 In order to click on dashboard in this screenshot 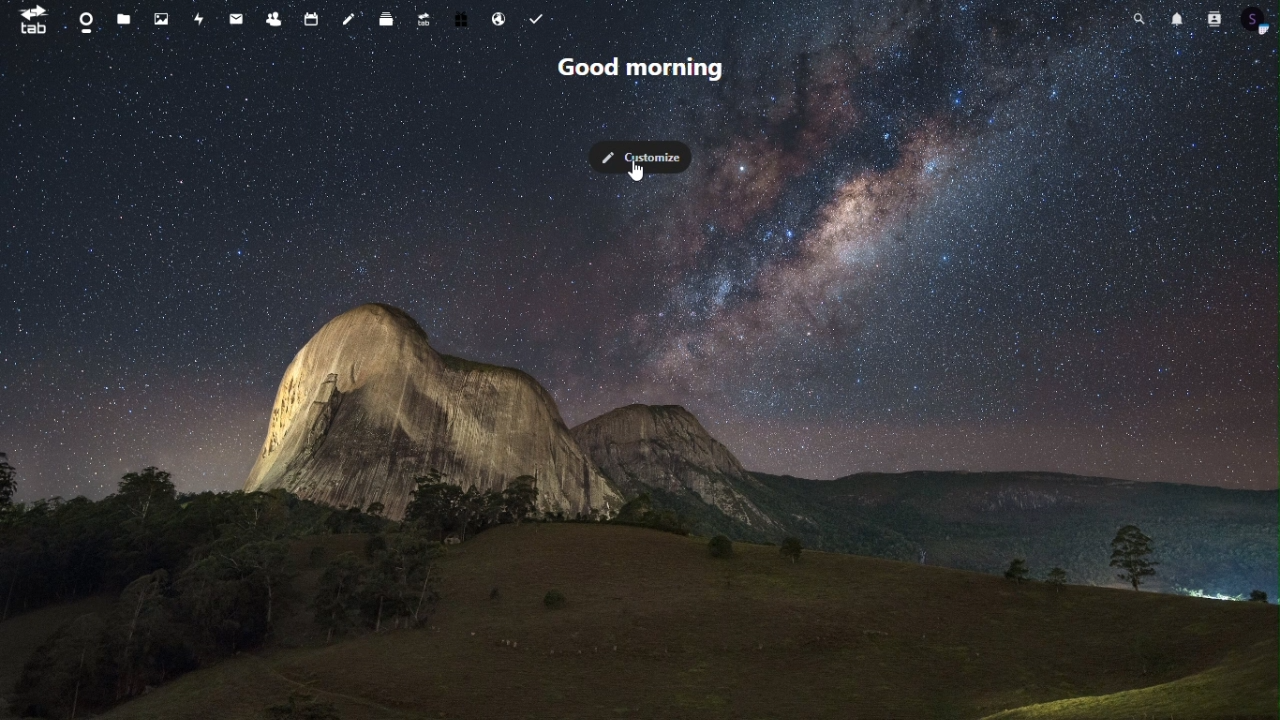, I will do `click(85, 22)`.